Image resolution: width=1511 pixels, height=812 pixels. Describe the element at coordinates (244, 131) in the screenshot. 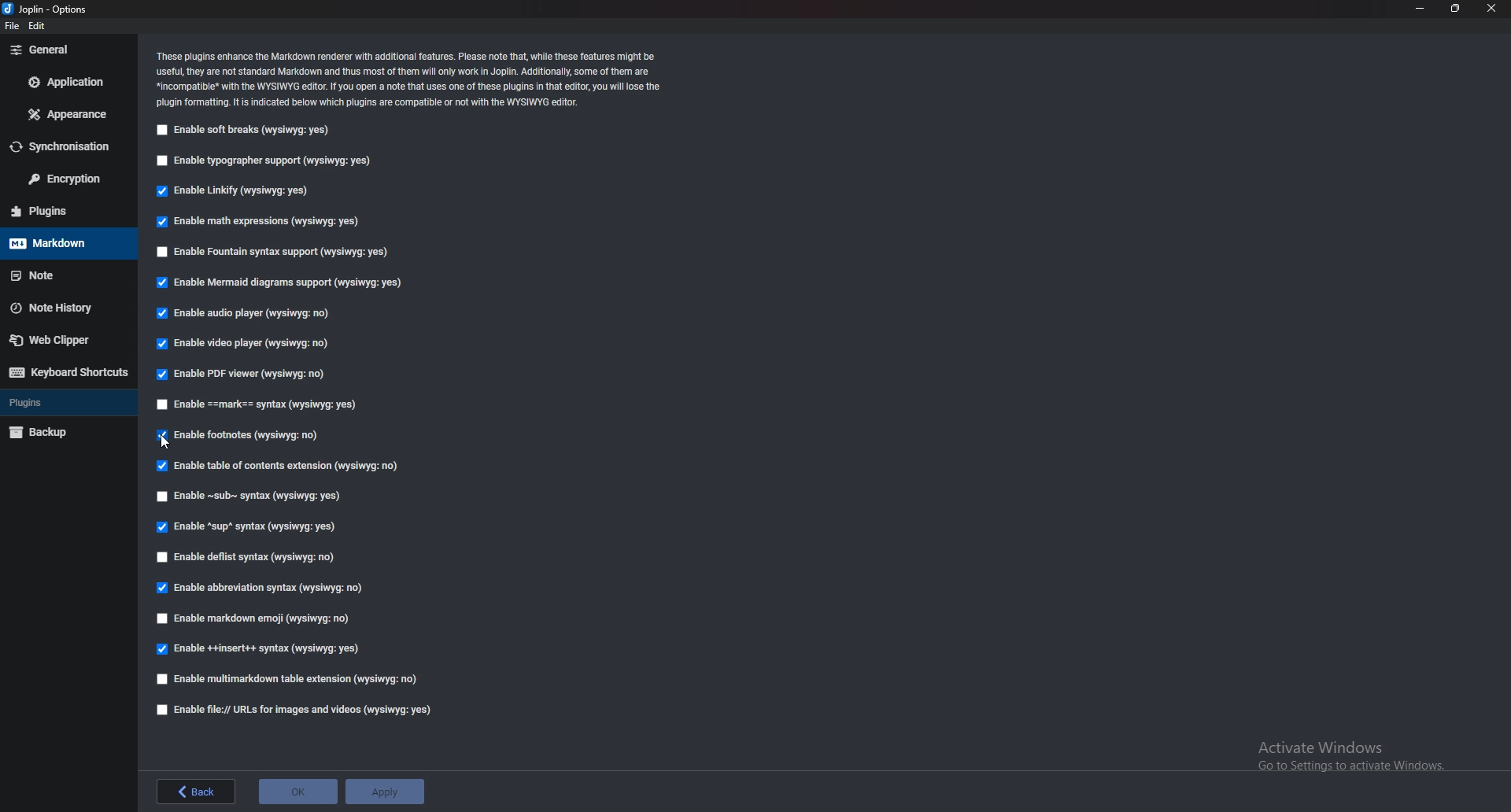

I see `enable soft breaks` at that location.